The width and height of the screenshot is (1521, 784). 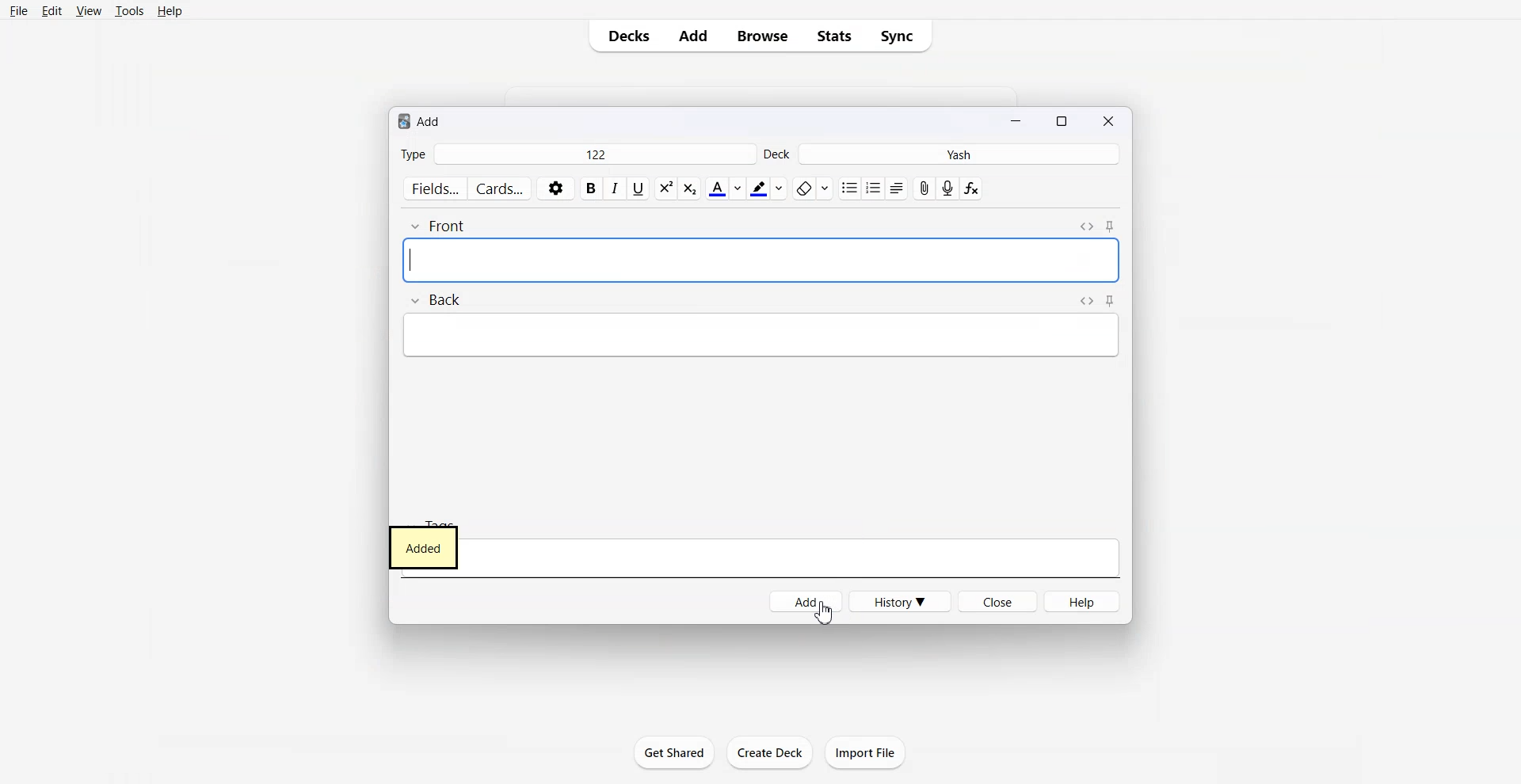 I want to click on Maximize, so click(x=1063, y=121).